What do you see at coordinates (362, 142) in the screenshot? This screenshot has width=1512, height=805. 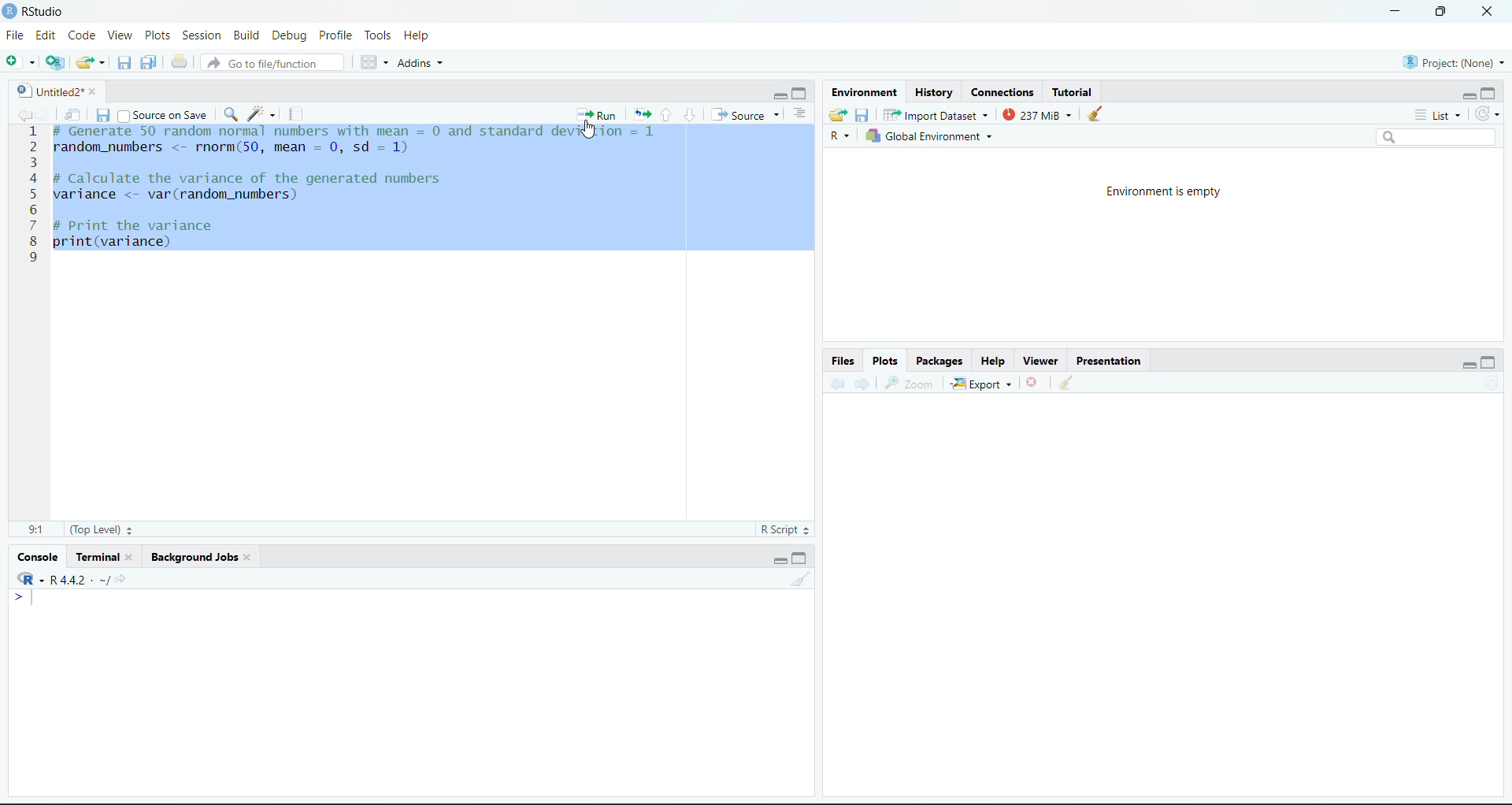 I see `# Generate 50 random normal numbers with mean = 0 and standard deviation = 1 random_numbers <- rnorm(50, mean = 0, sd = 1)` at bounding box center [362, 142].